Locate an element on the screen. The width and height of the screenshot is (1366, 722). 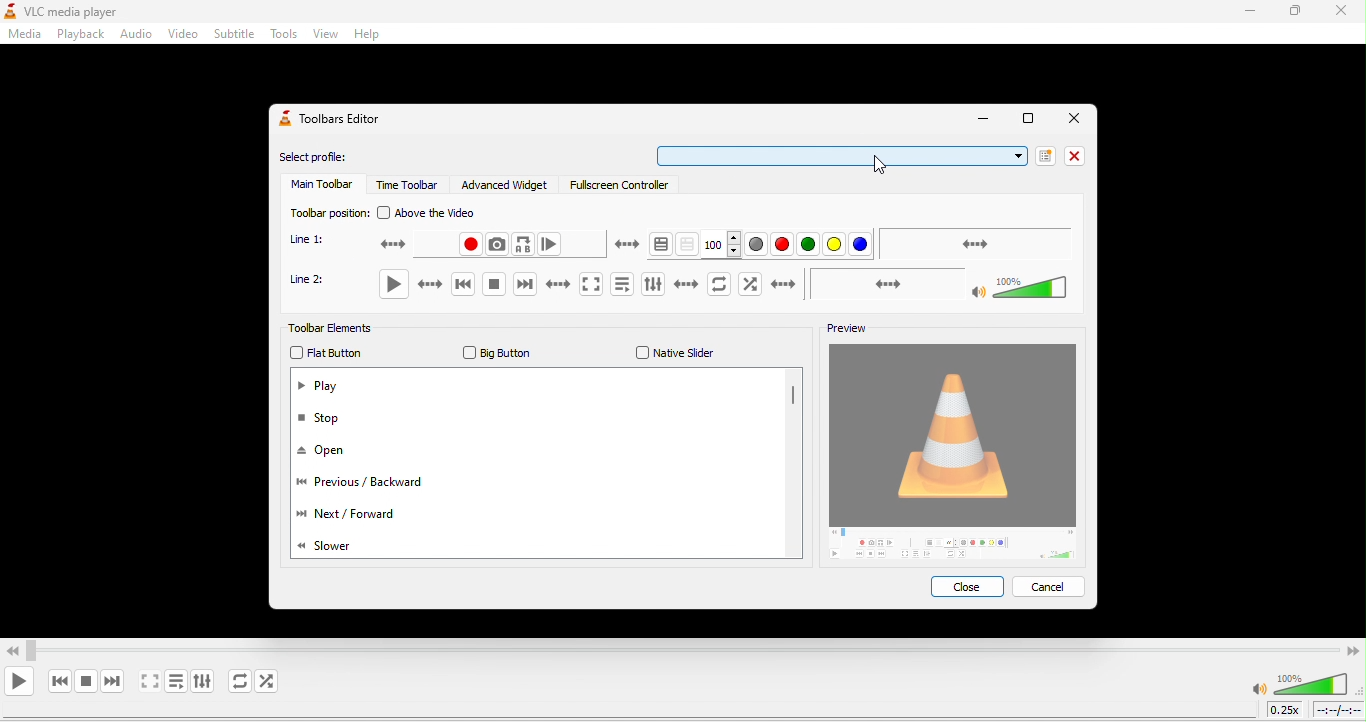
view is located at coordinates (324, 36).